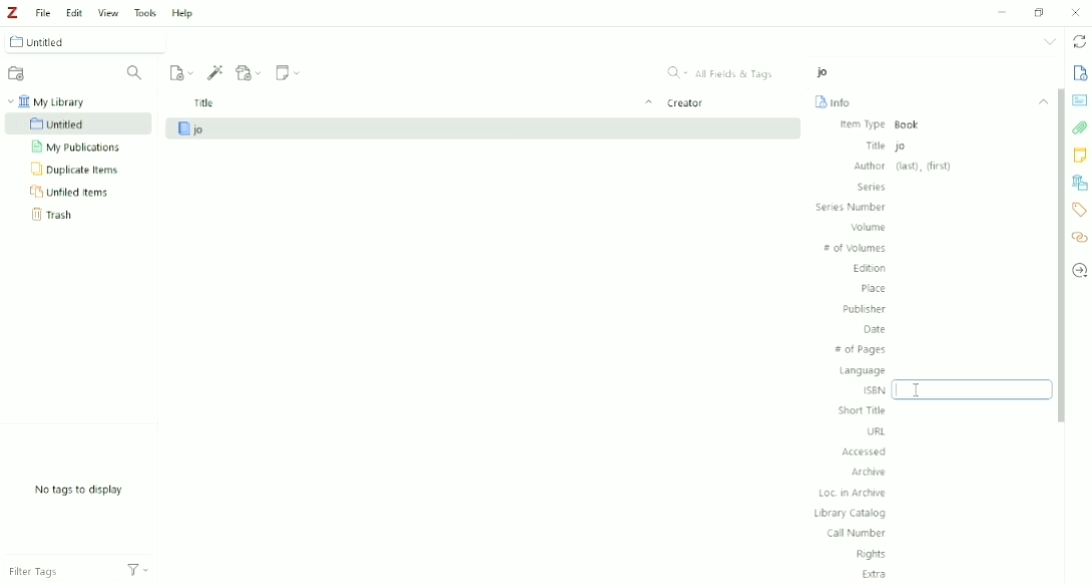 This screenshot has height=584, width=1092. Describe the element at coordinates (1080, 156) in the screenshot. I see `Notes` at that location.